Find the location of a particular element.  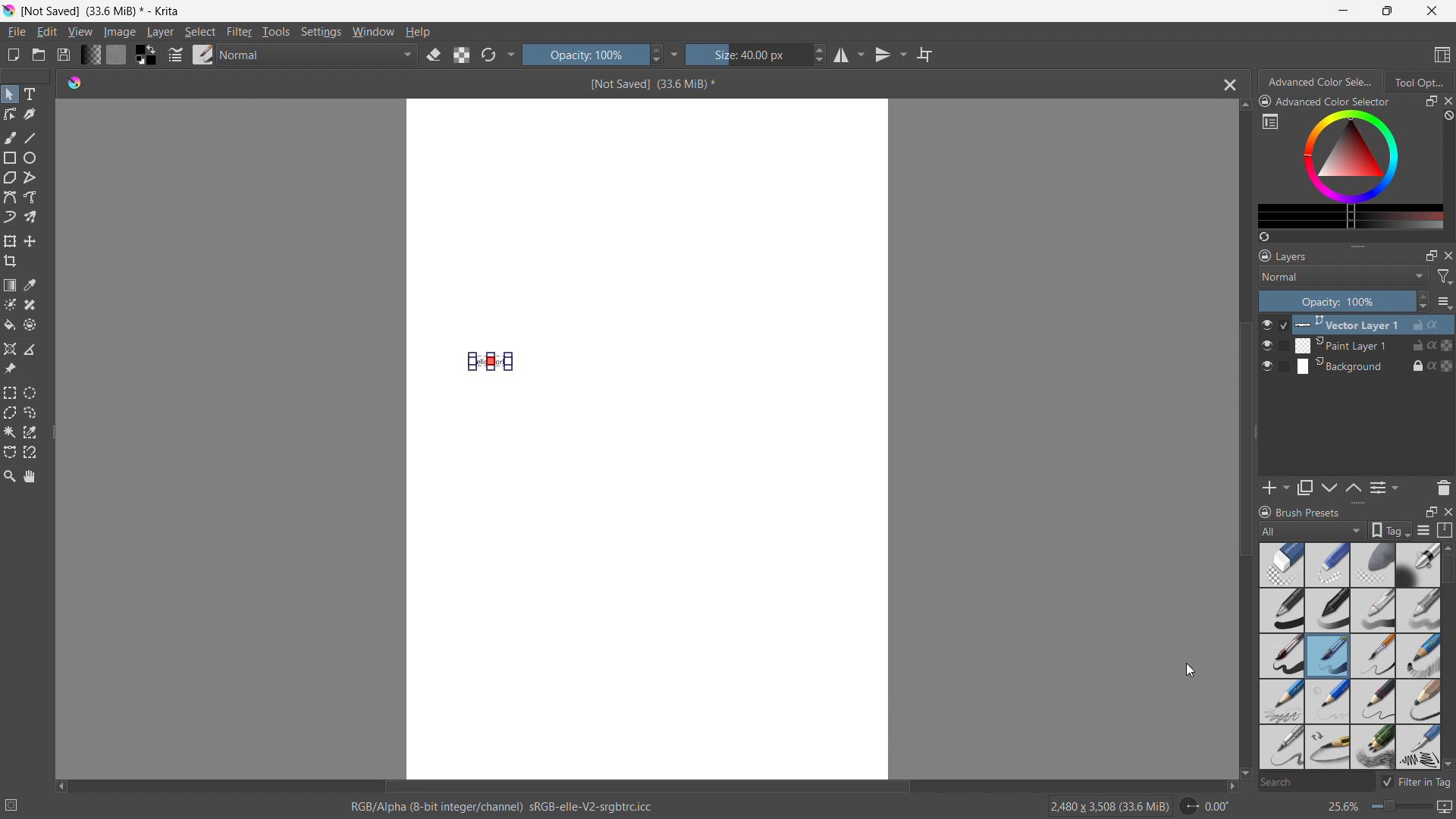

sketch pencil is located at coordinates (1417, 657).